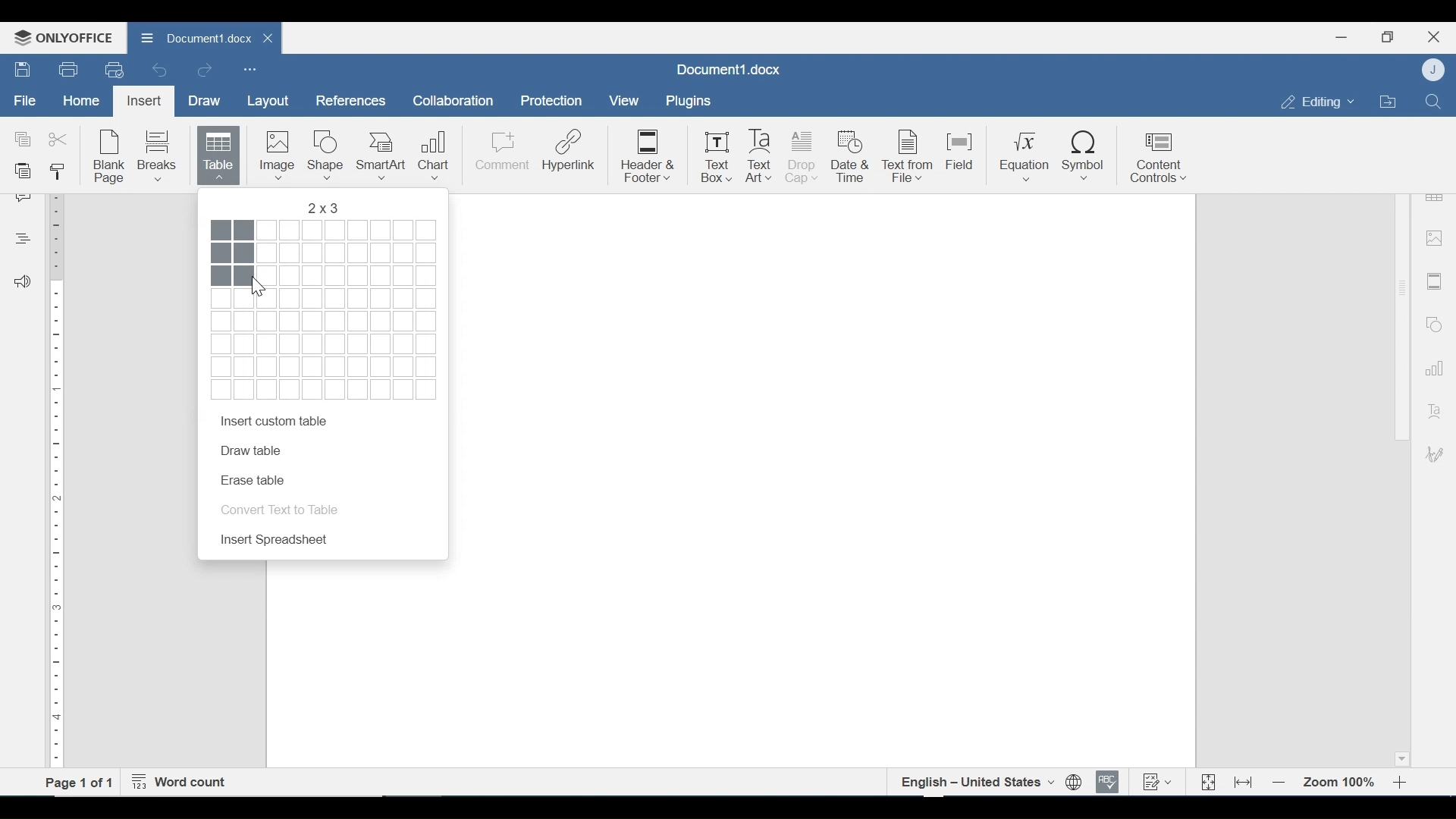 This screenshot has height=819, width=1456. I want to click on Blank Page, so click(111, 158).